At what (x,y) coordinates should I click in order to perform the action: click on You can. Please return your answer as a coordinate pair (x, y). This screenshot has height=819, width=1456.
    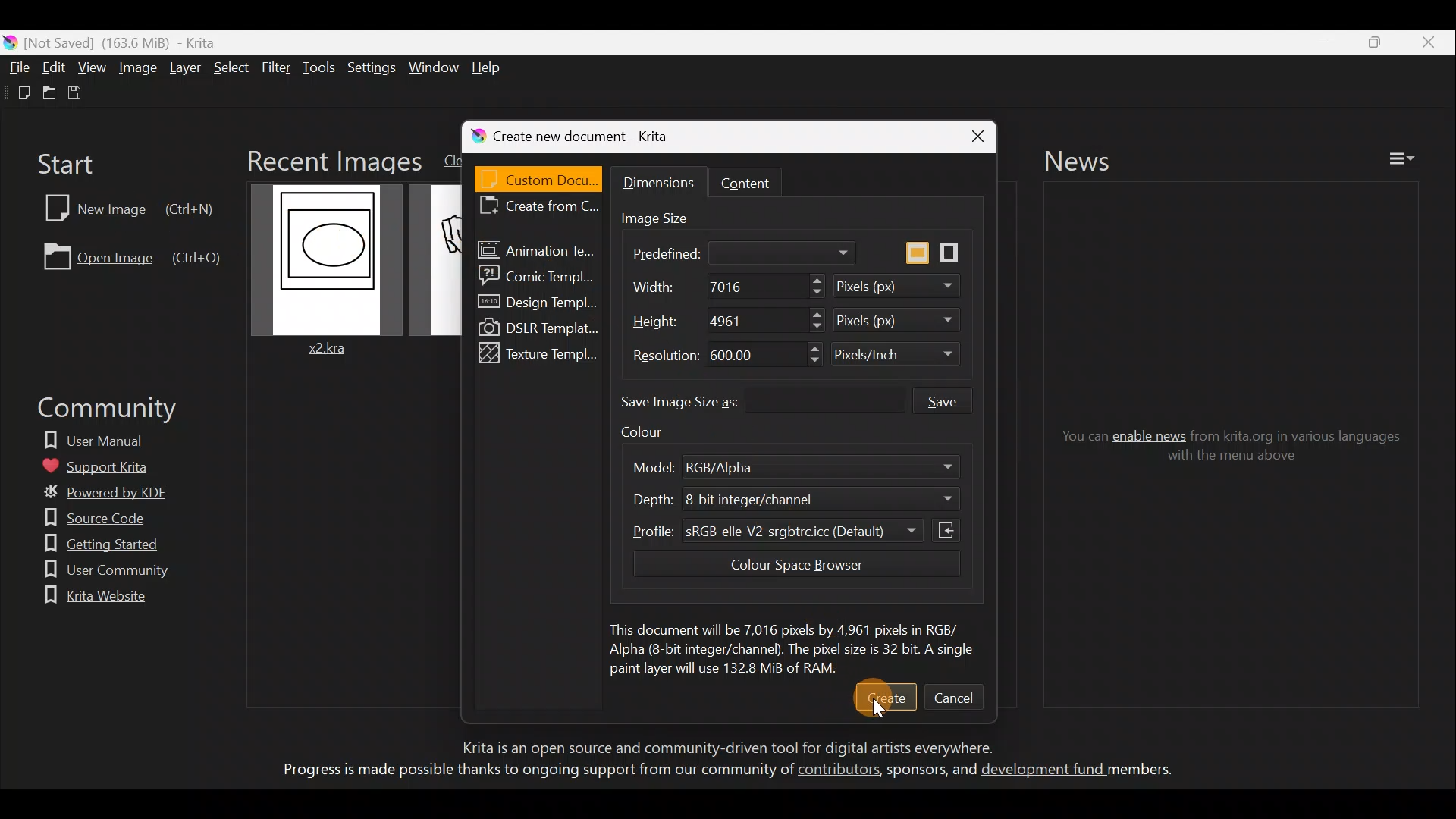
    Looking at the image, I should click on (1074, 436).